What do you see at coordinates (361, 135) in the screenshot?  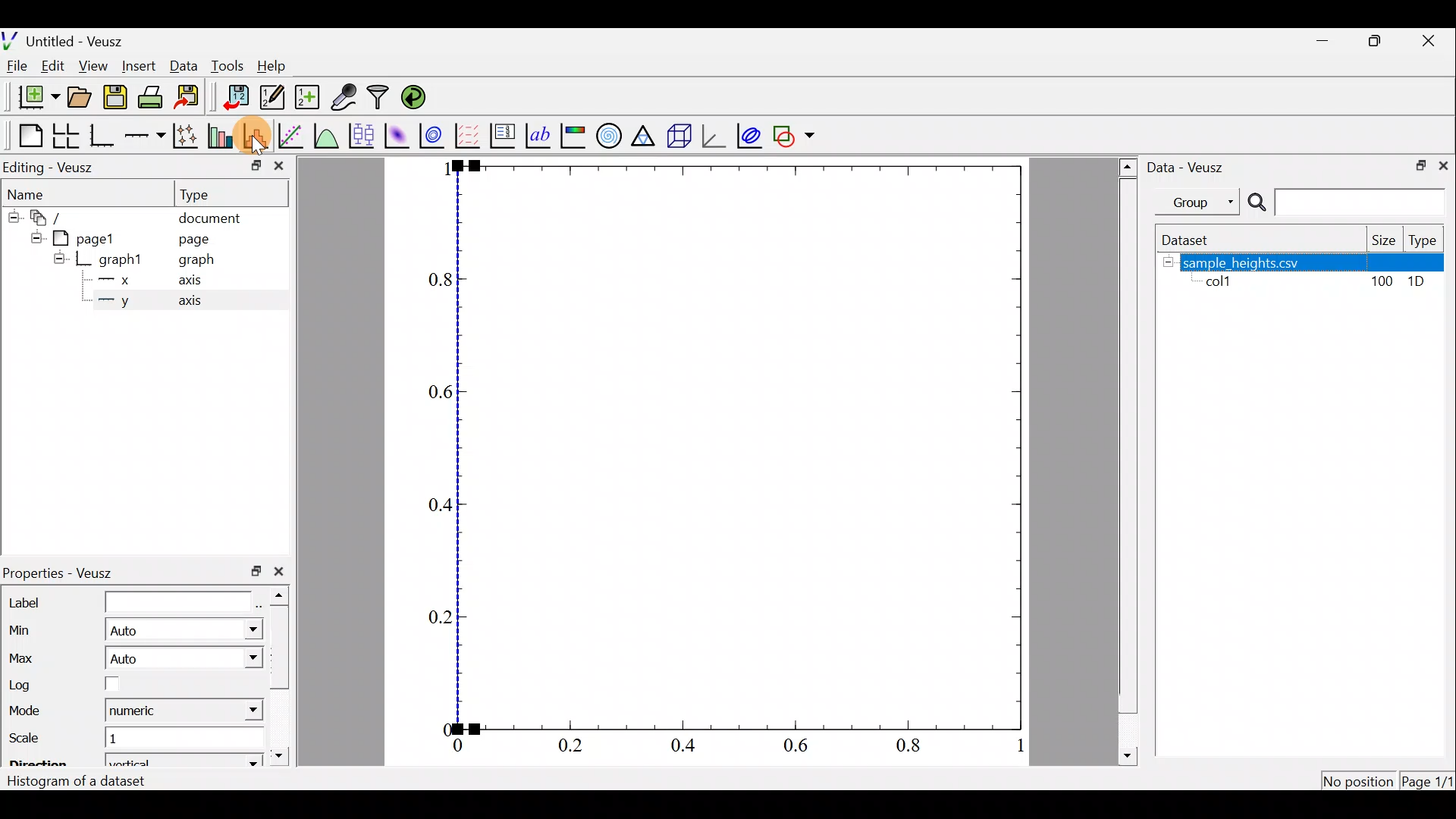 I see `plot box plots` at bounding box center [361, 135].